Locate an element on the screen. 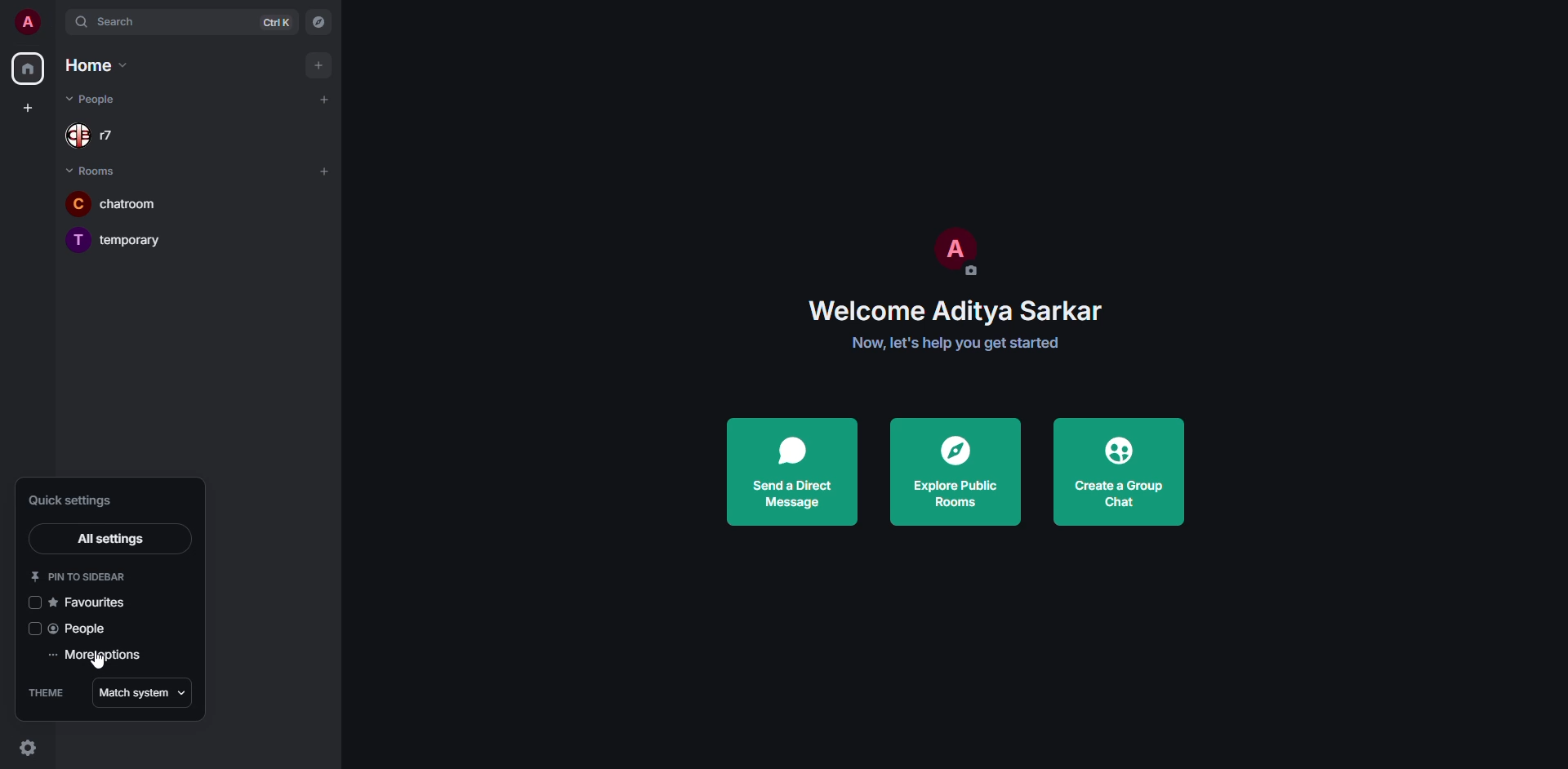 Image resolution: width=1568 pixels, height=769 pixels. people is located at coordinates (95, 98).